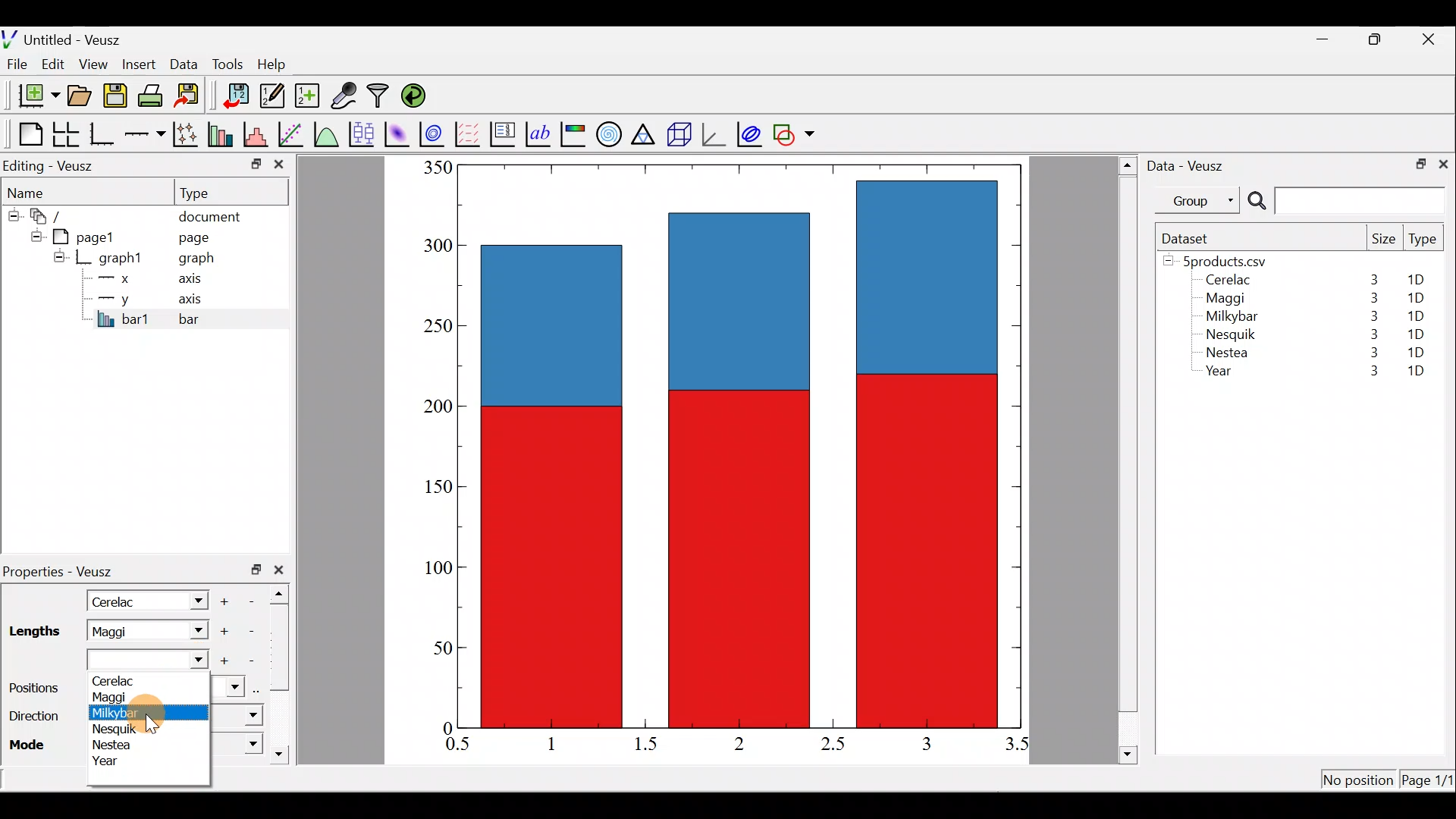  What do you see at coordinates (12, 213) in the screenshot?
I see `hide` at bounding box center [12, 213].